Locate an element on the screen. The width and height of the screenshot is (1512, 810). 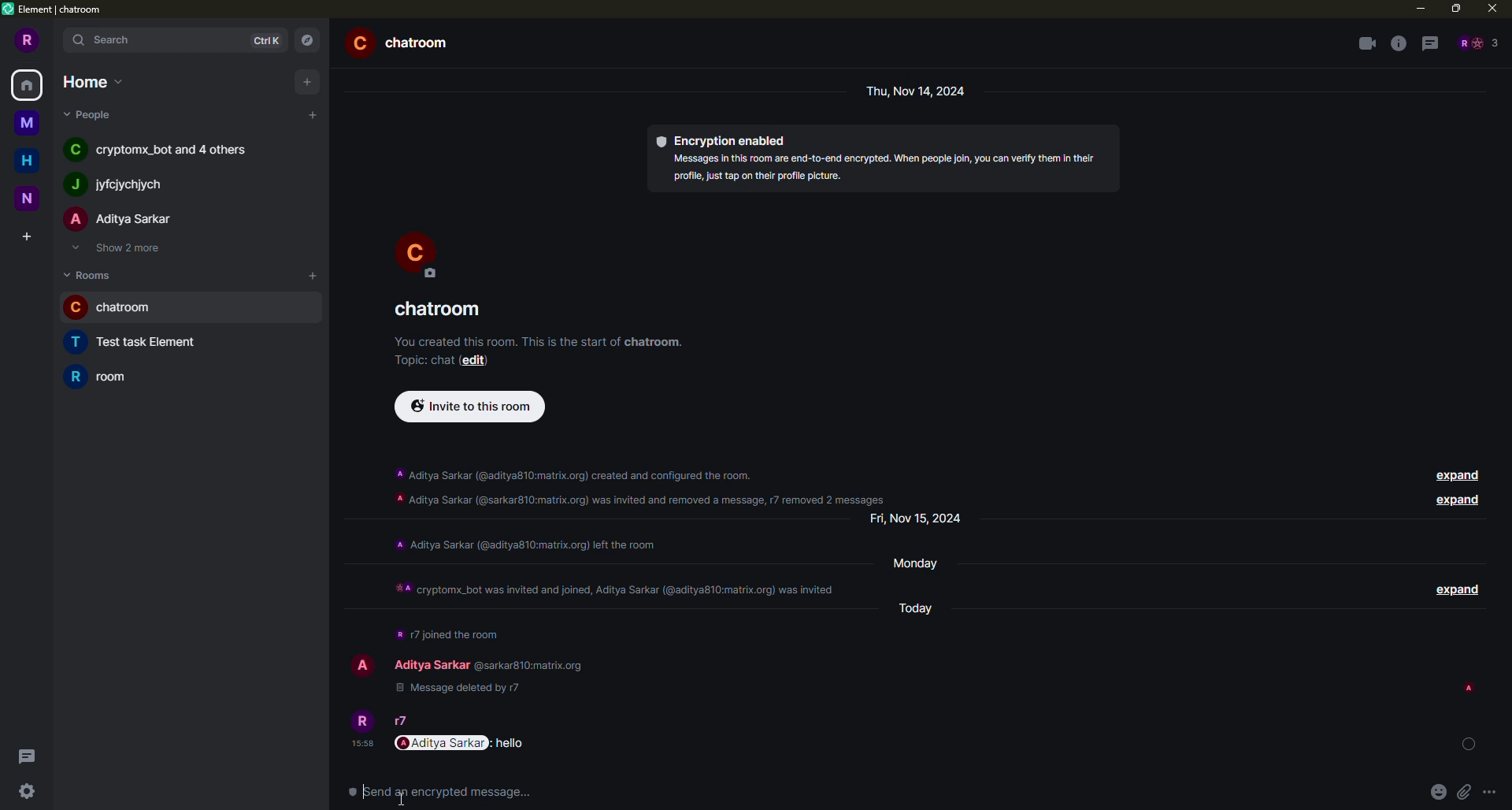
home is located at coordinates (28, 84).